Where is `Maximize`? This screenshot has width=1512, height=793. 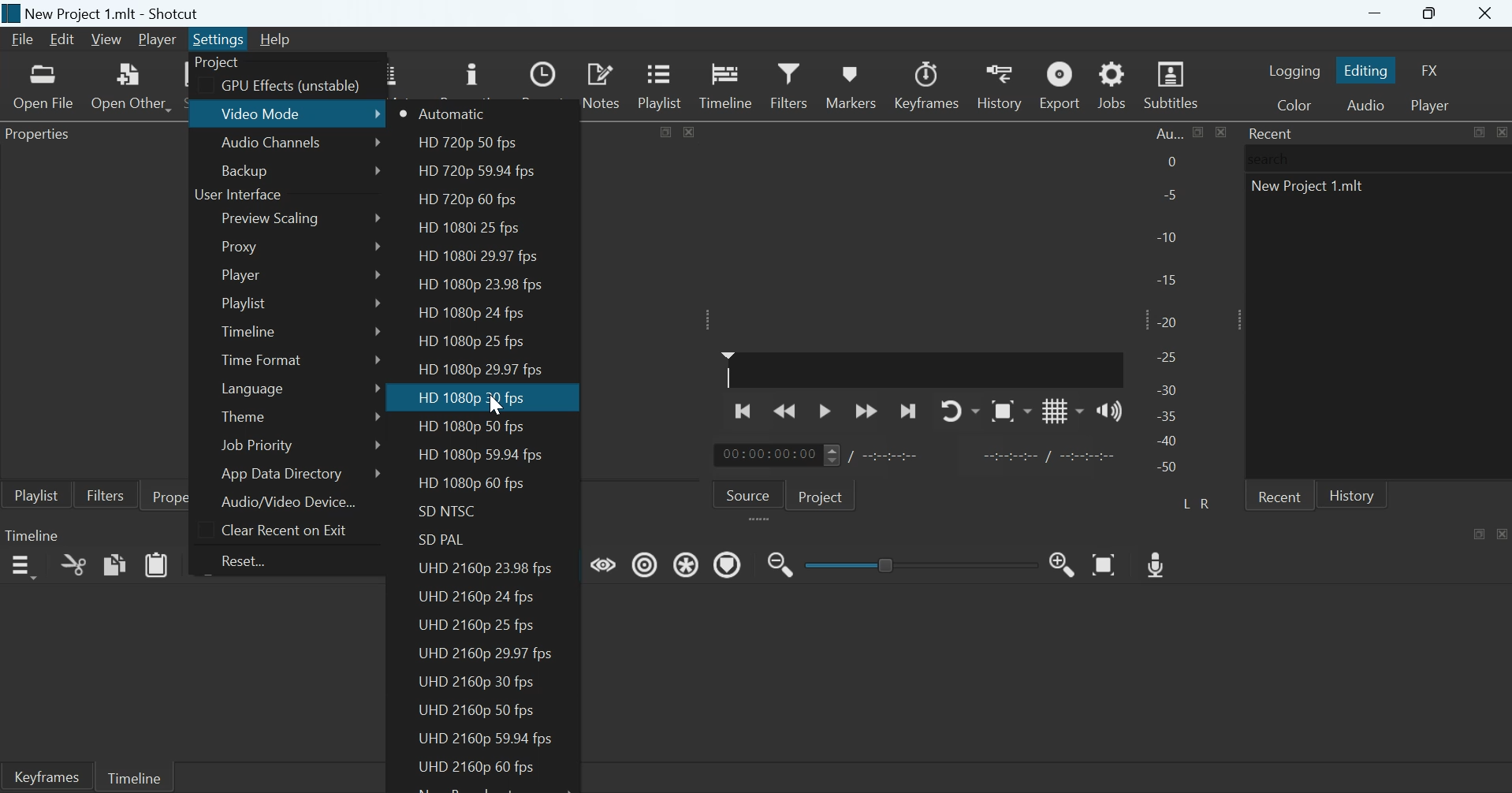
Maximize is located at coordinates (1432, 14).